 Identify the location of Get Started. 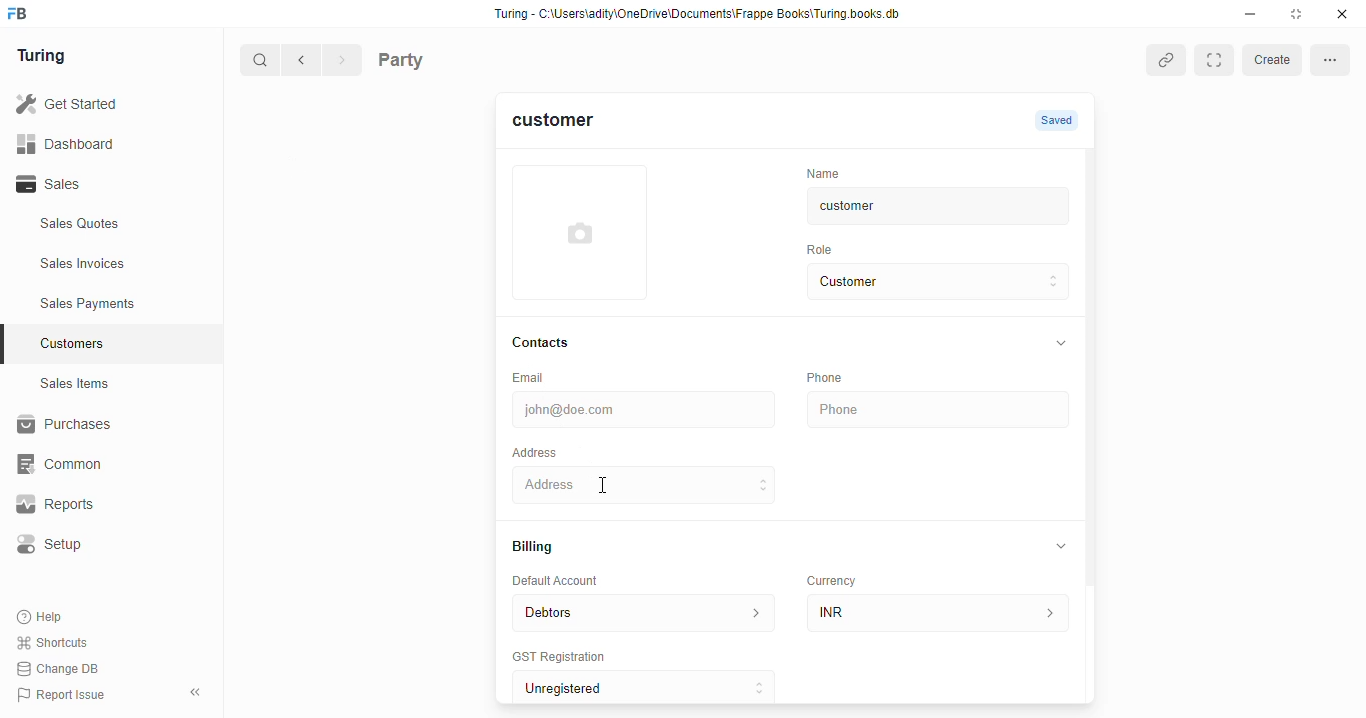
(93, 105).